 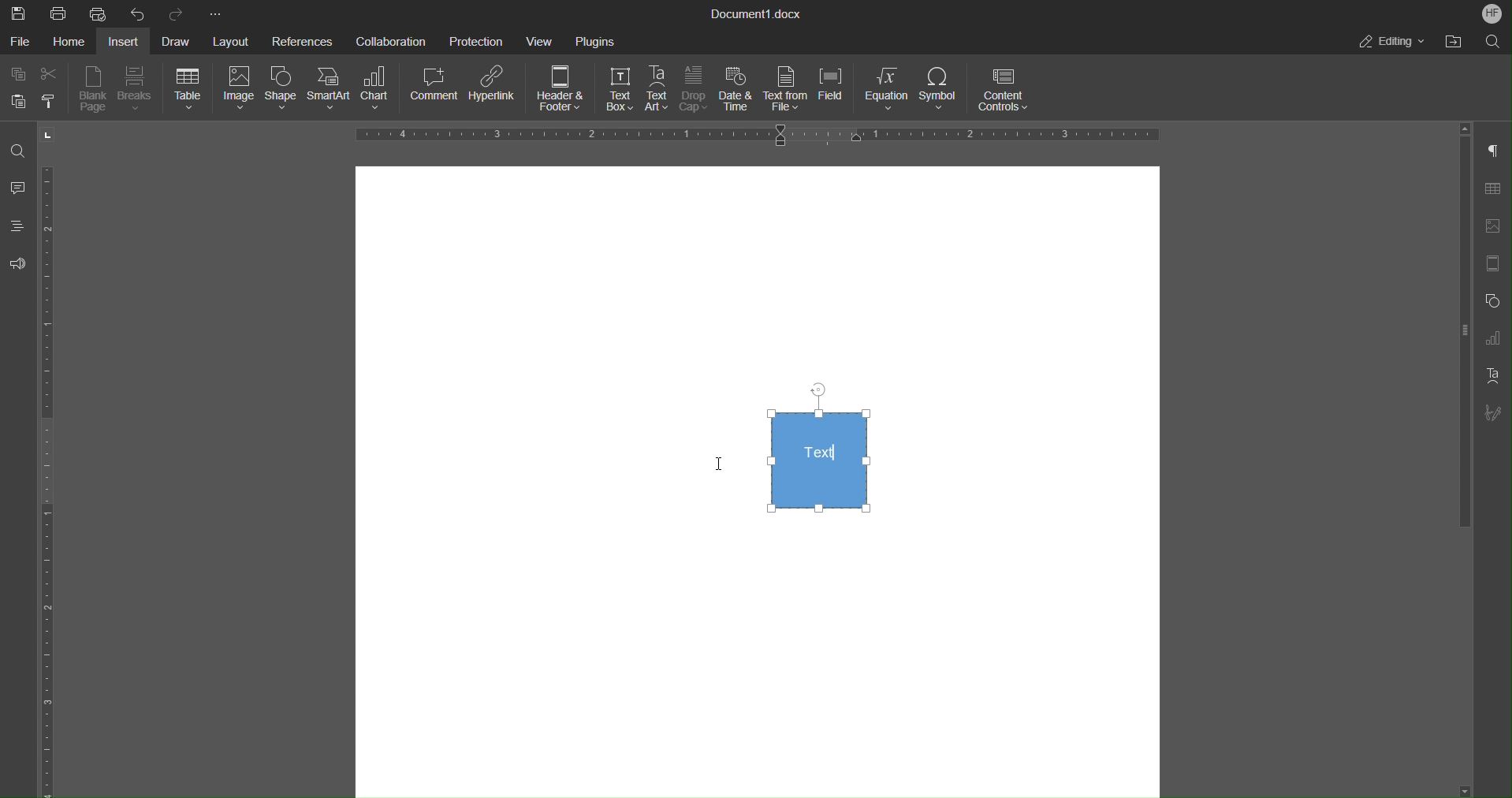 What do you see at coordinates (1496, 376) in the screenshot?
I see `Text Art` at bounding box center [1496, 376].